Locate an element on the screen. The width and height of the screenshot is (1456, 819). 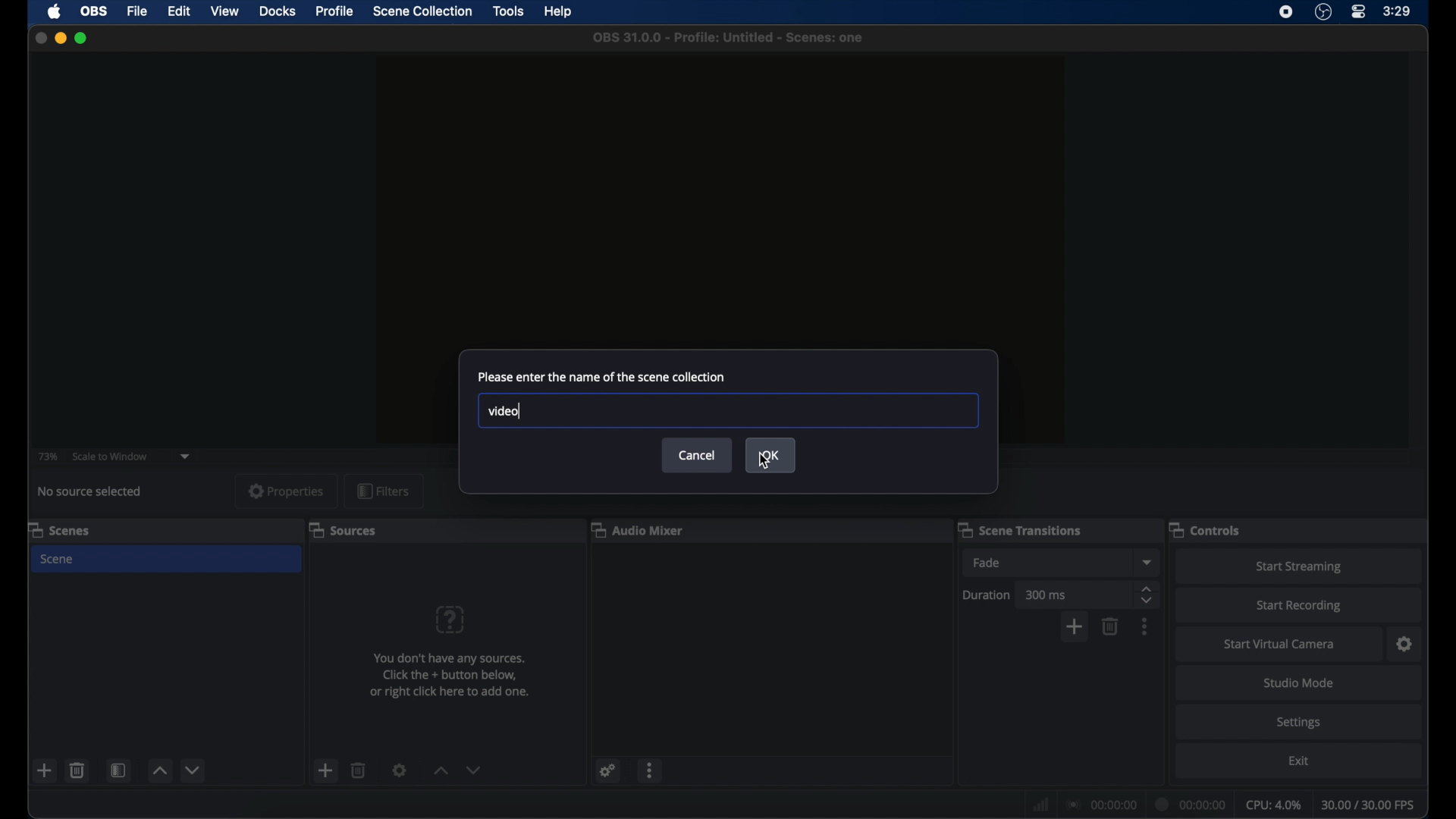
minimize is located at coordinates (60, 38).